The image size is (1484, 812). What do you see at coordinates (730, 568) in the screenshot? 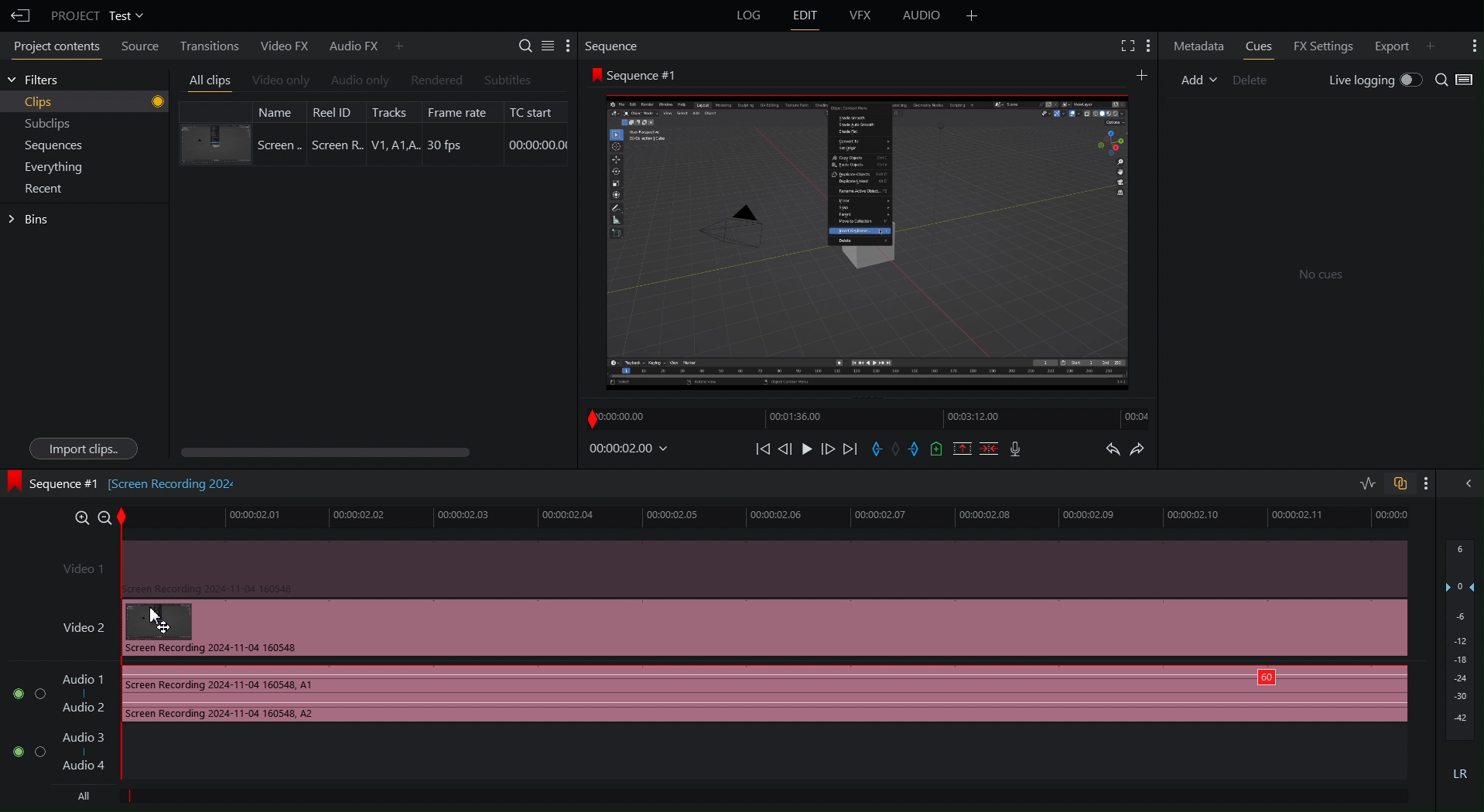
I see `Video Track 2 (clip added)` at bounding box center [730, 568].